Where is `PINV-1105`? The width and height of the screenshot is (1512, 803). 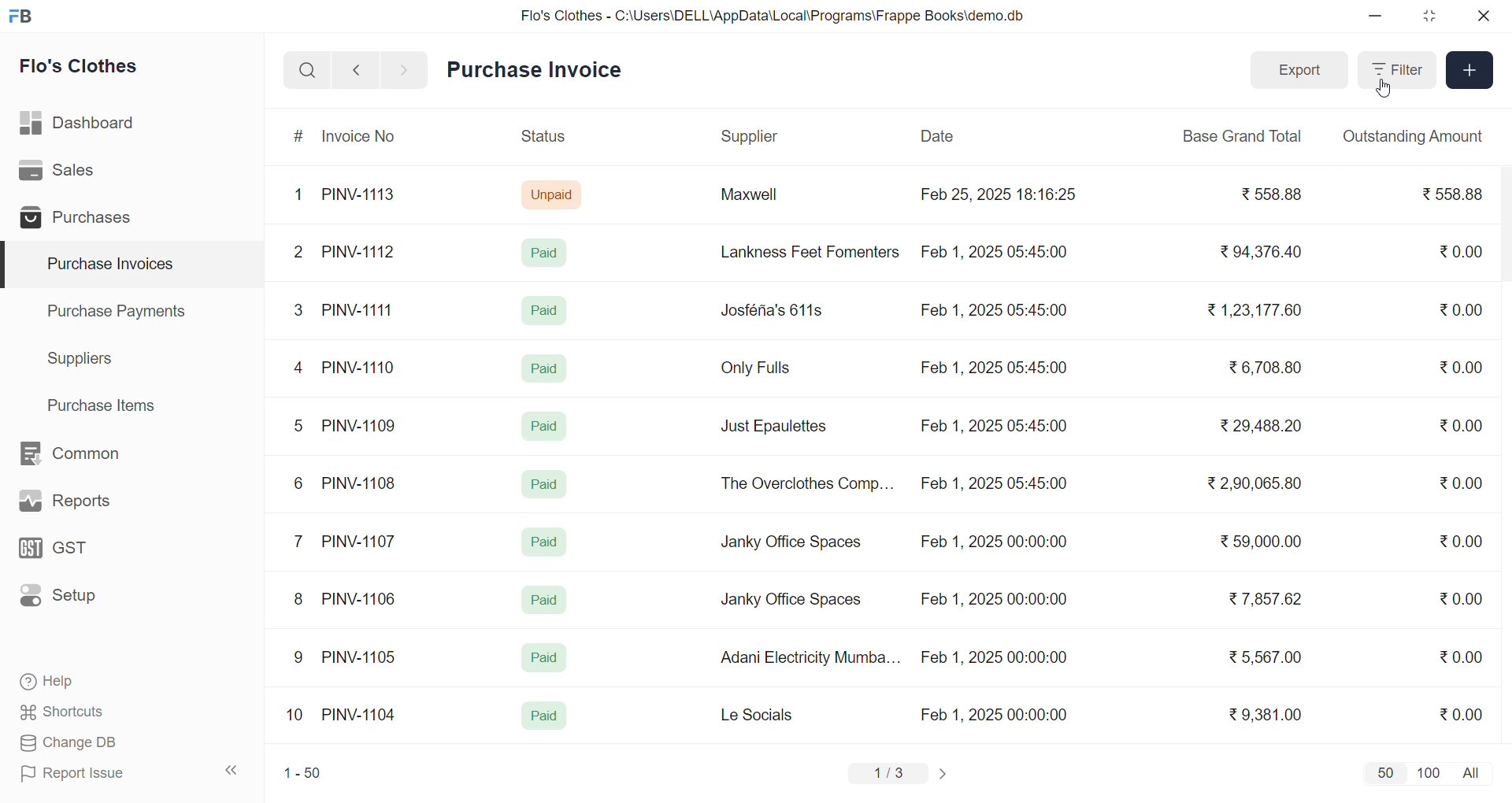 PINV-1105 is located at coordinates (362, 657).